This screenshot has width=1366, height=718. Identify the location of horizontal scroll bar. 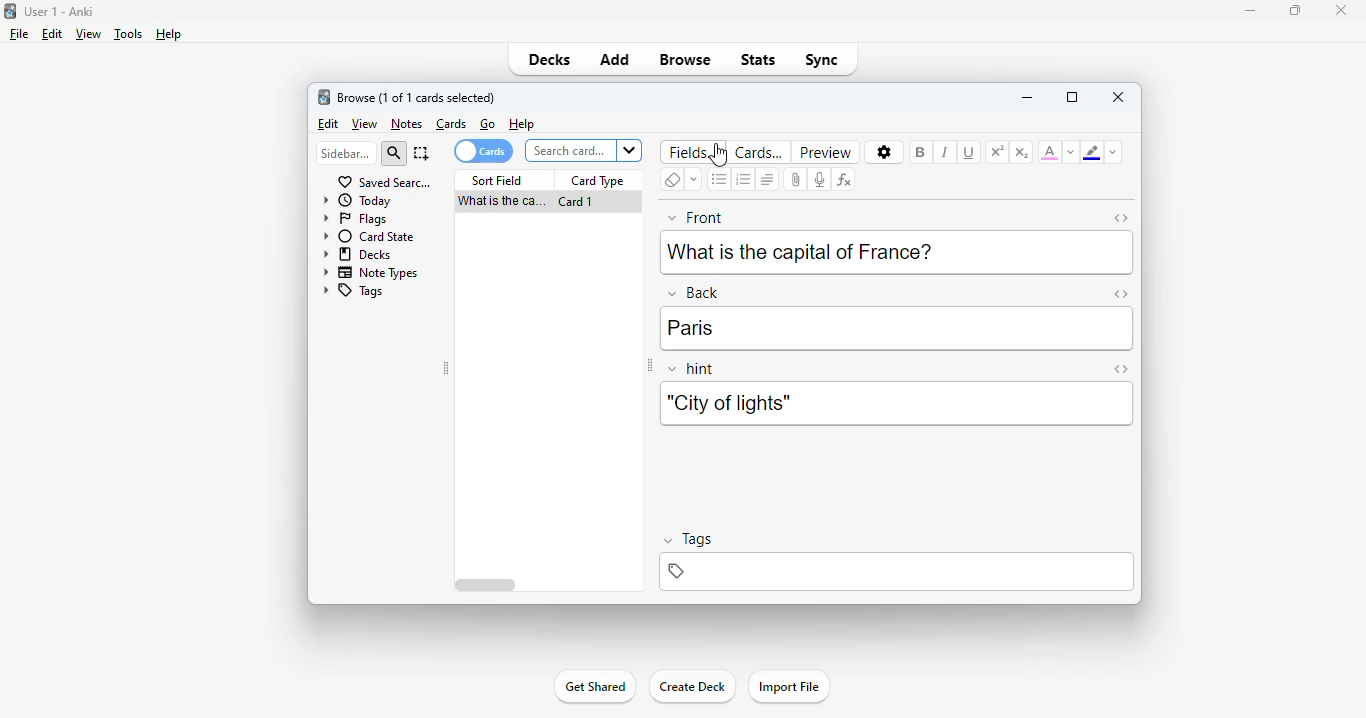
(488, 586).